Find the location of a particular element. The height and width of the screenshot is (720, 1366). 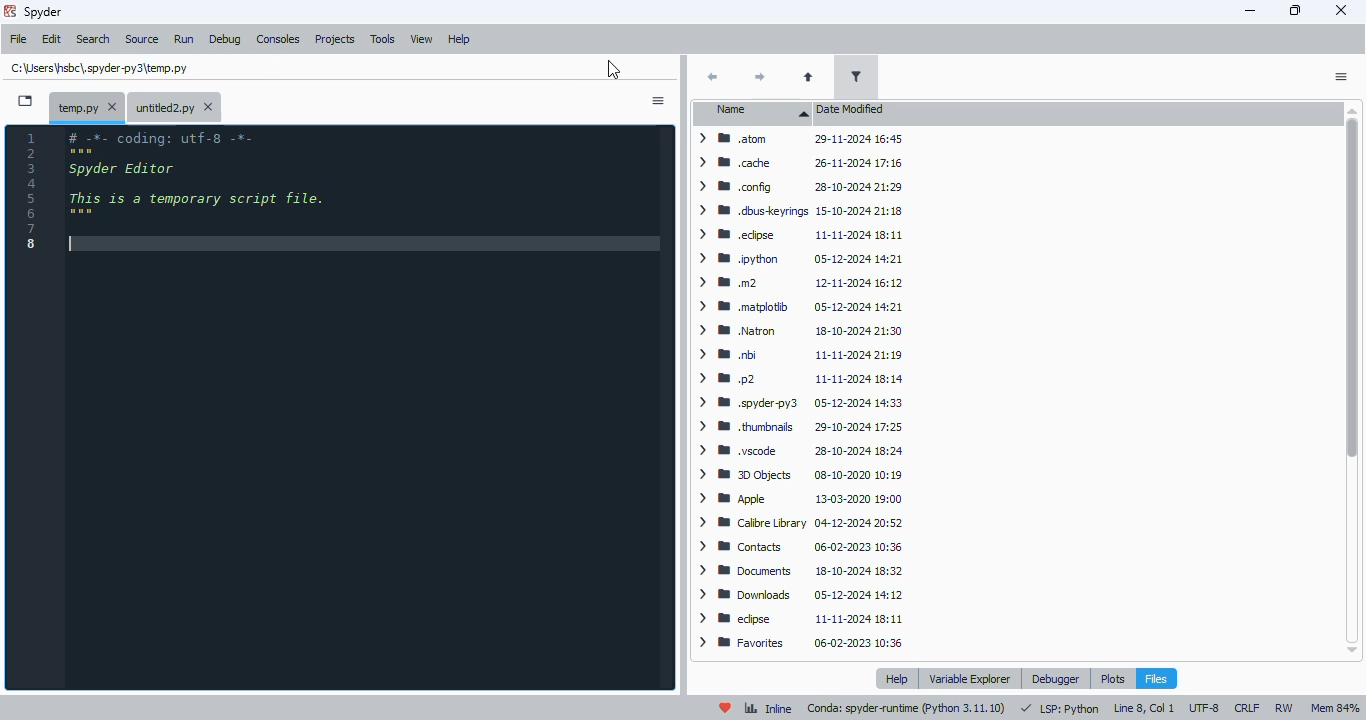

inline is located at coordinates (768, 707).